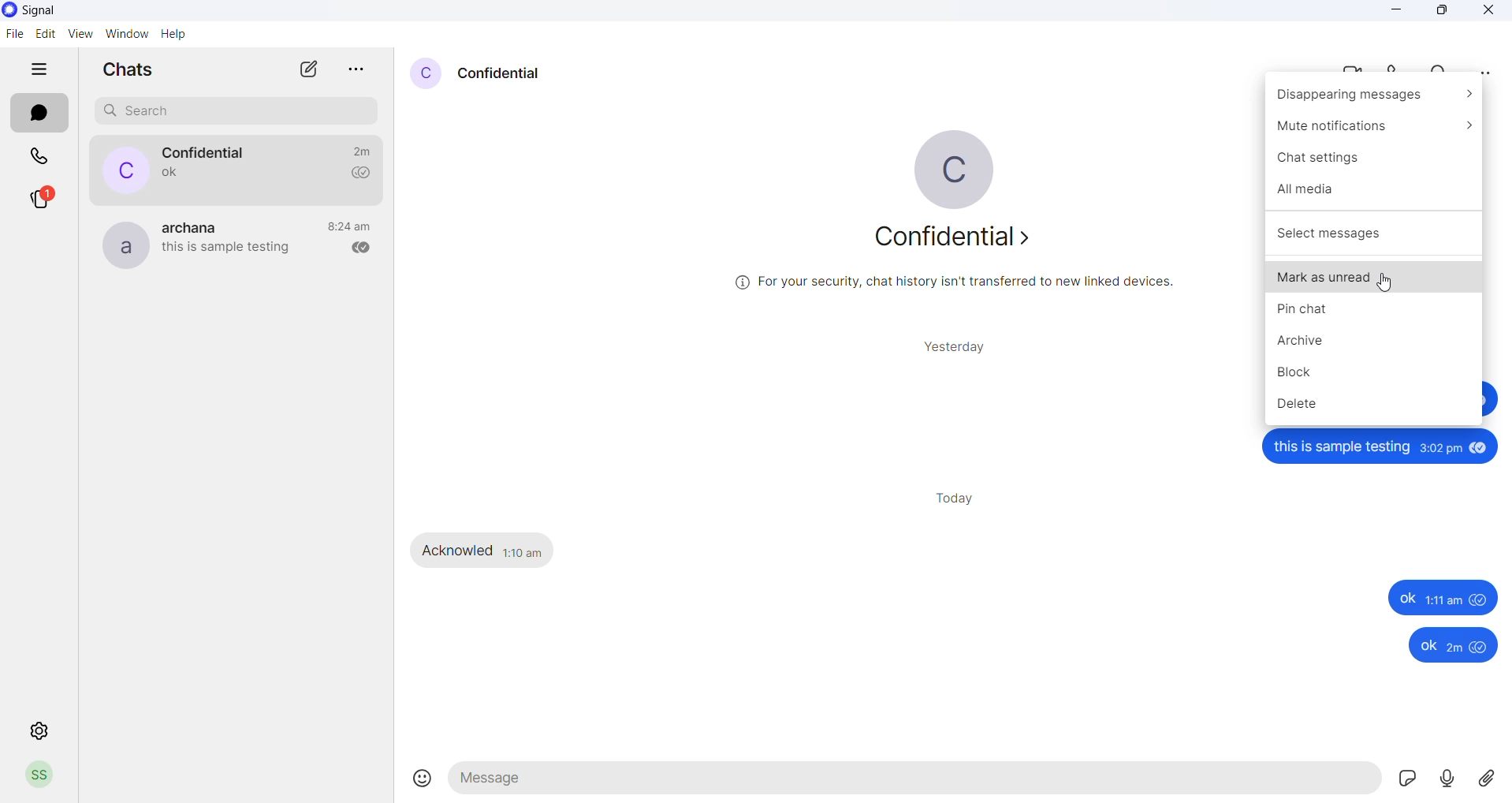 The width and height of the screenshot is (1512, 803). What do you see at coordinates (1373, 316) in the screenshot?
I see `pin chat` at bounding box center [1373, 316].